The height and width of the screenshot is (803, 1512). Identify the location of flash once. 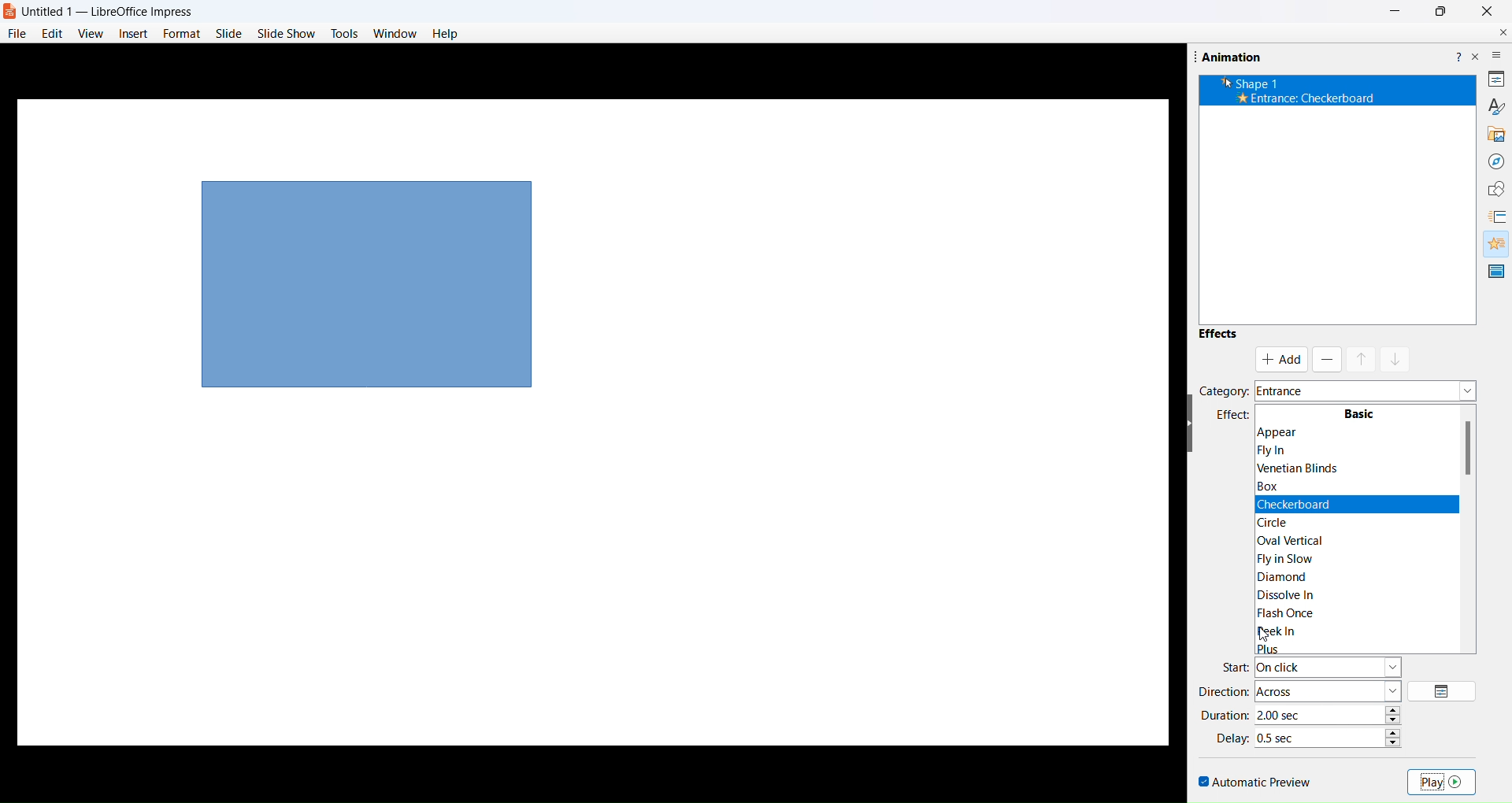
(1284, 612).